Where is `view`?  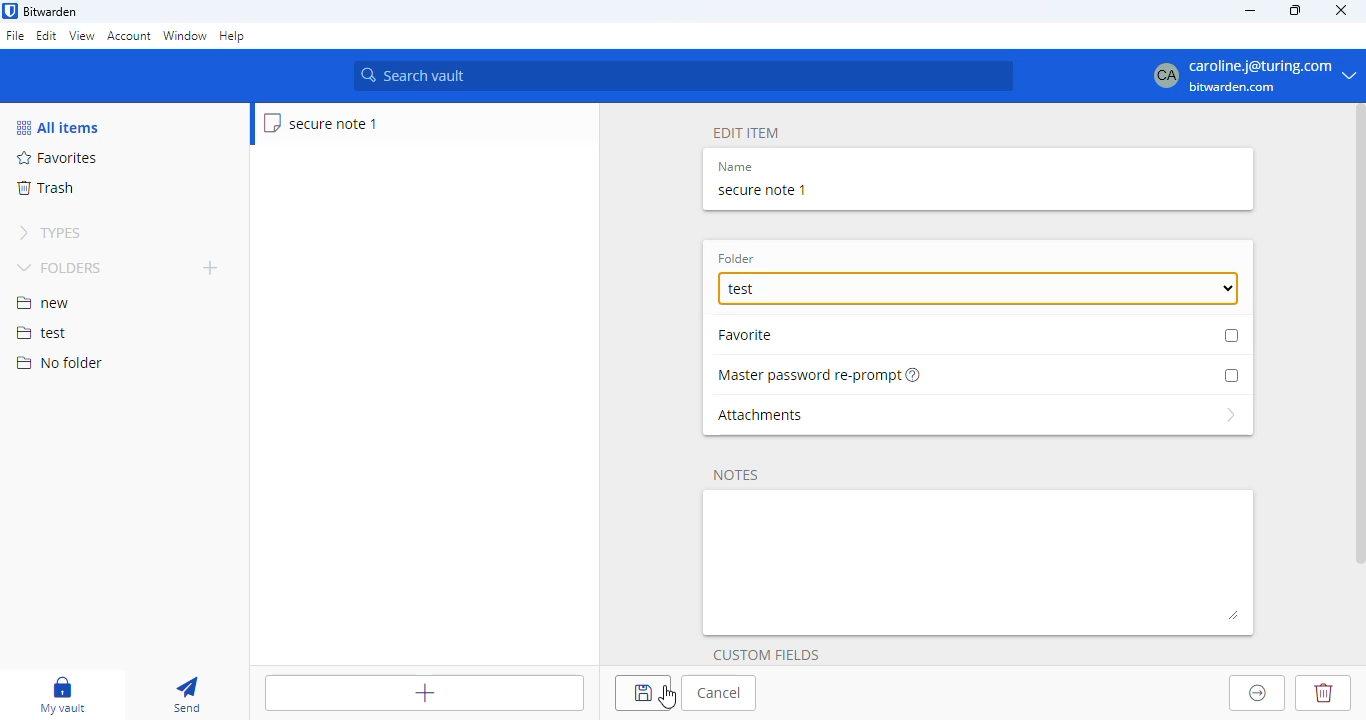
view is located at coordinates (81, 35).